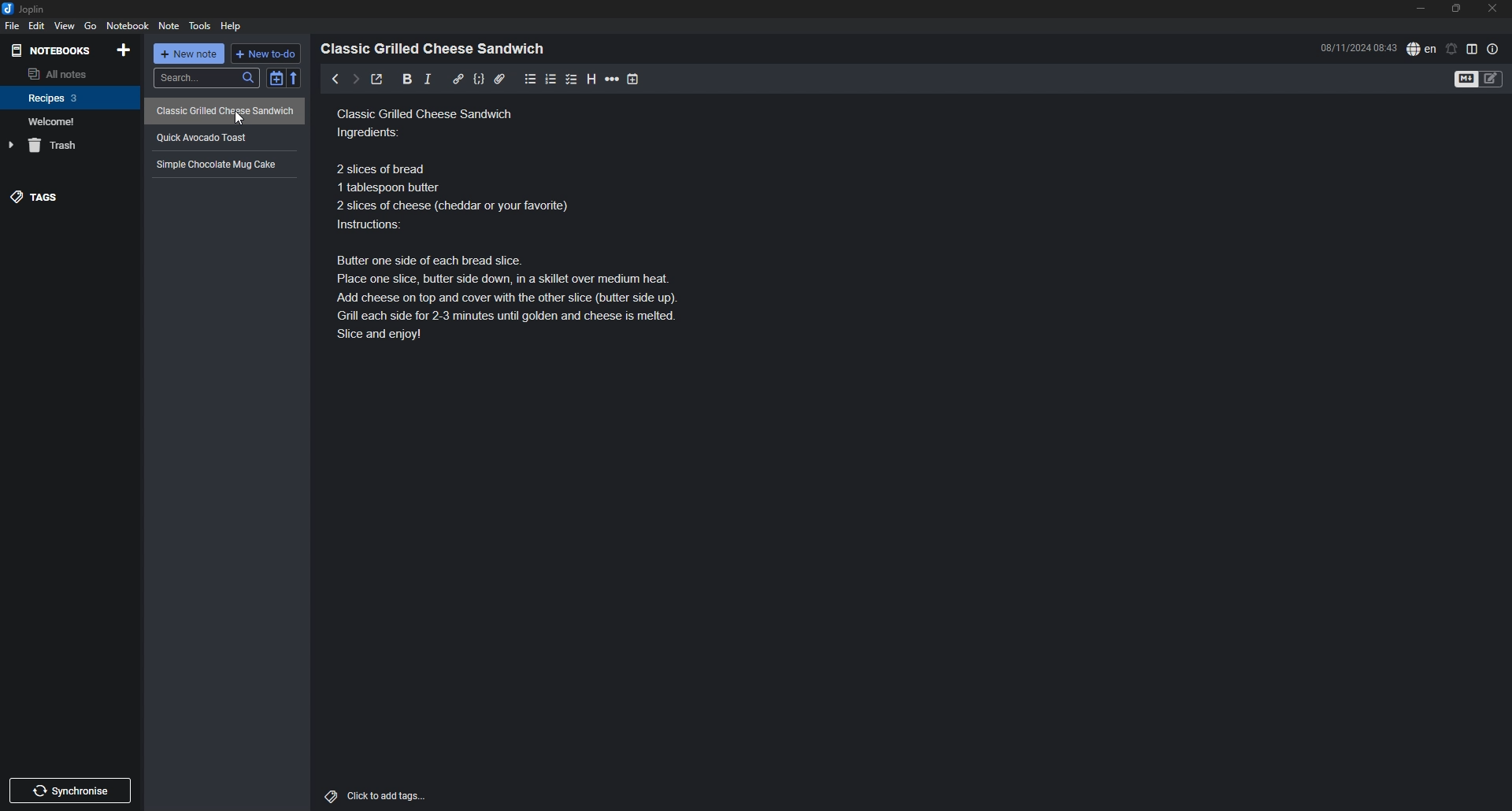 Image resolution: width=1512 pixels, height=811 pixels. Describe the element at coordinates (26, 9) in the screenshot. I see `joplin` at that location.